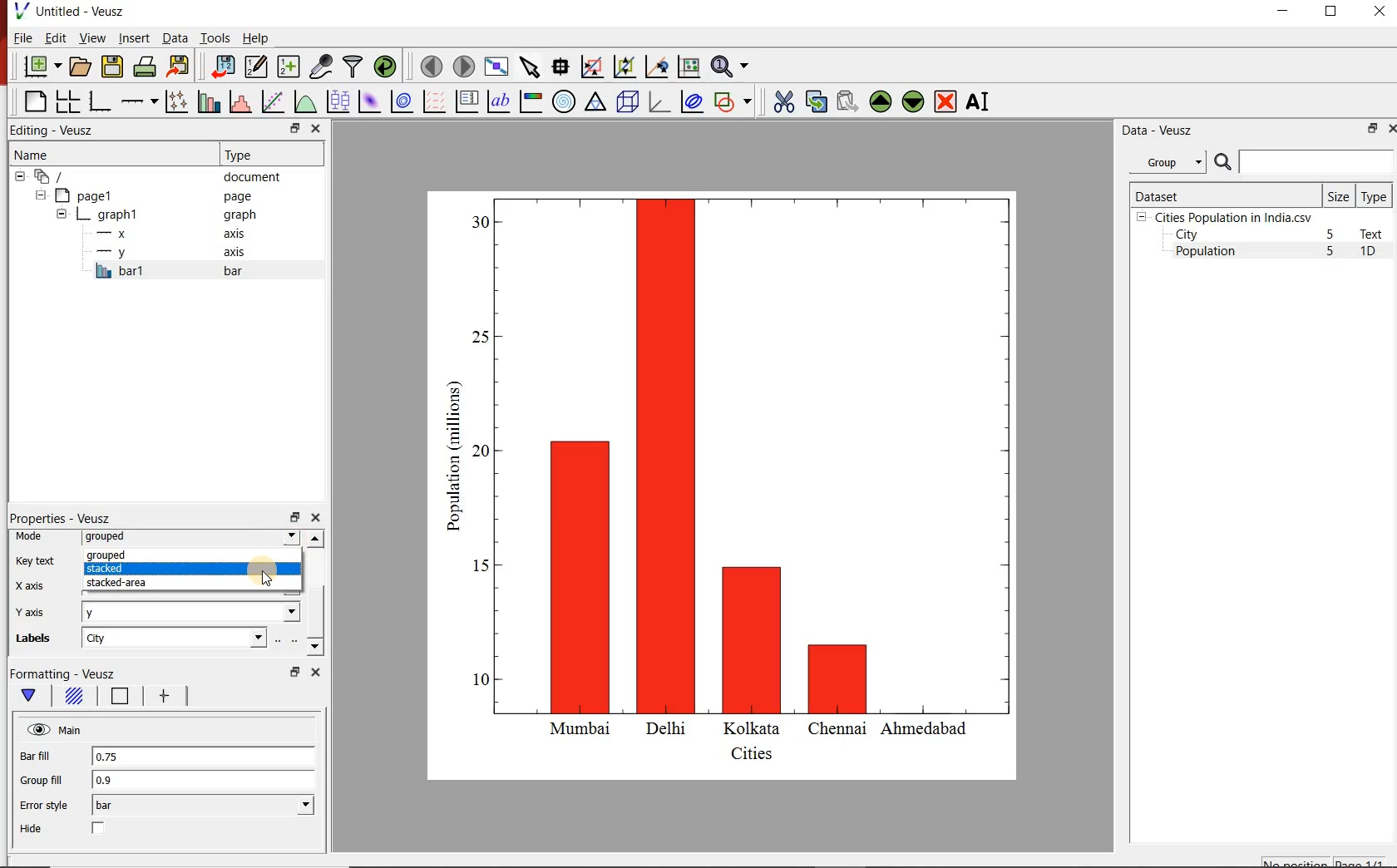 The height and width of the screenshot is (868, 1397). What do you see at coordinates (144, 67) in the screenshot?
I see `print the document` at bounding box center [144, 67].